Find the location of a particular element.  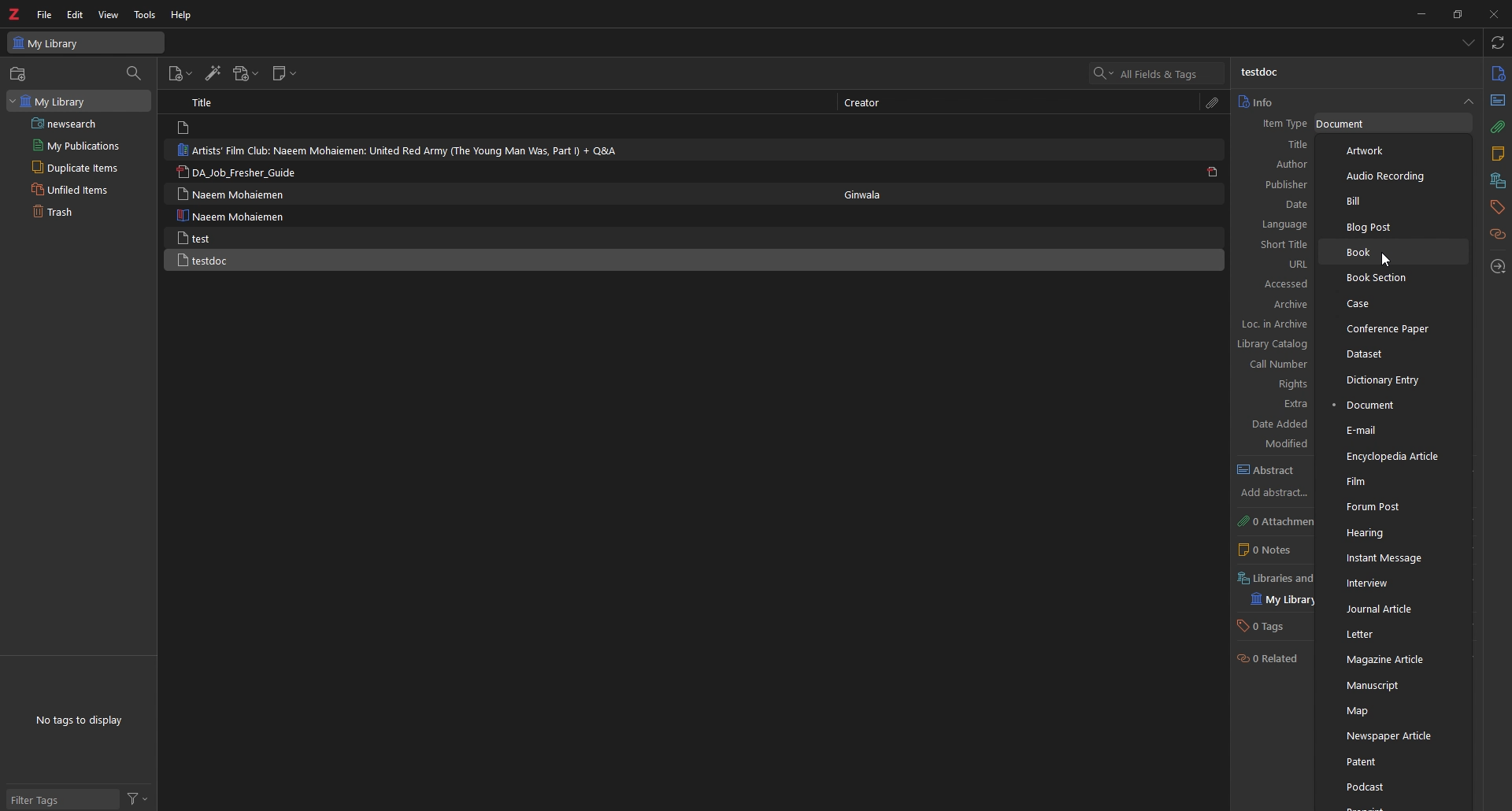

blog post is located at coordinates (1394, 228).